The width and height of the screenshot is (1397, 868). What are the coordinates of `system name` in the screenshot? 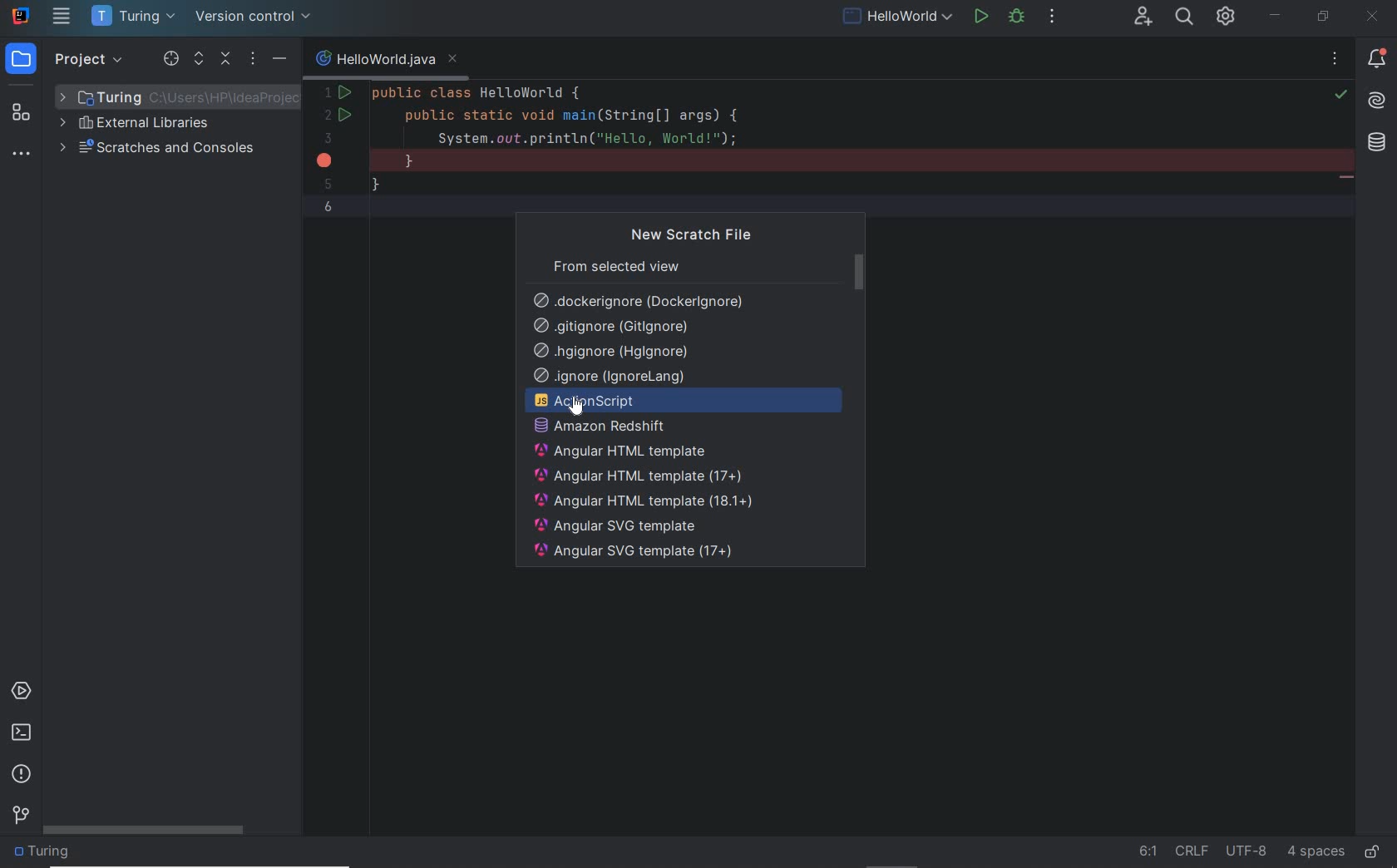 It's located at (21, 16).